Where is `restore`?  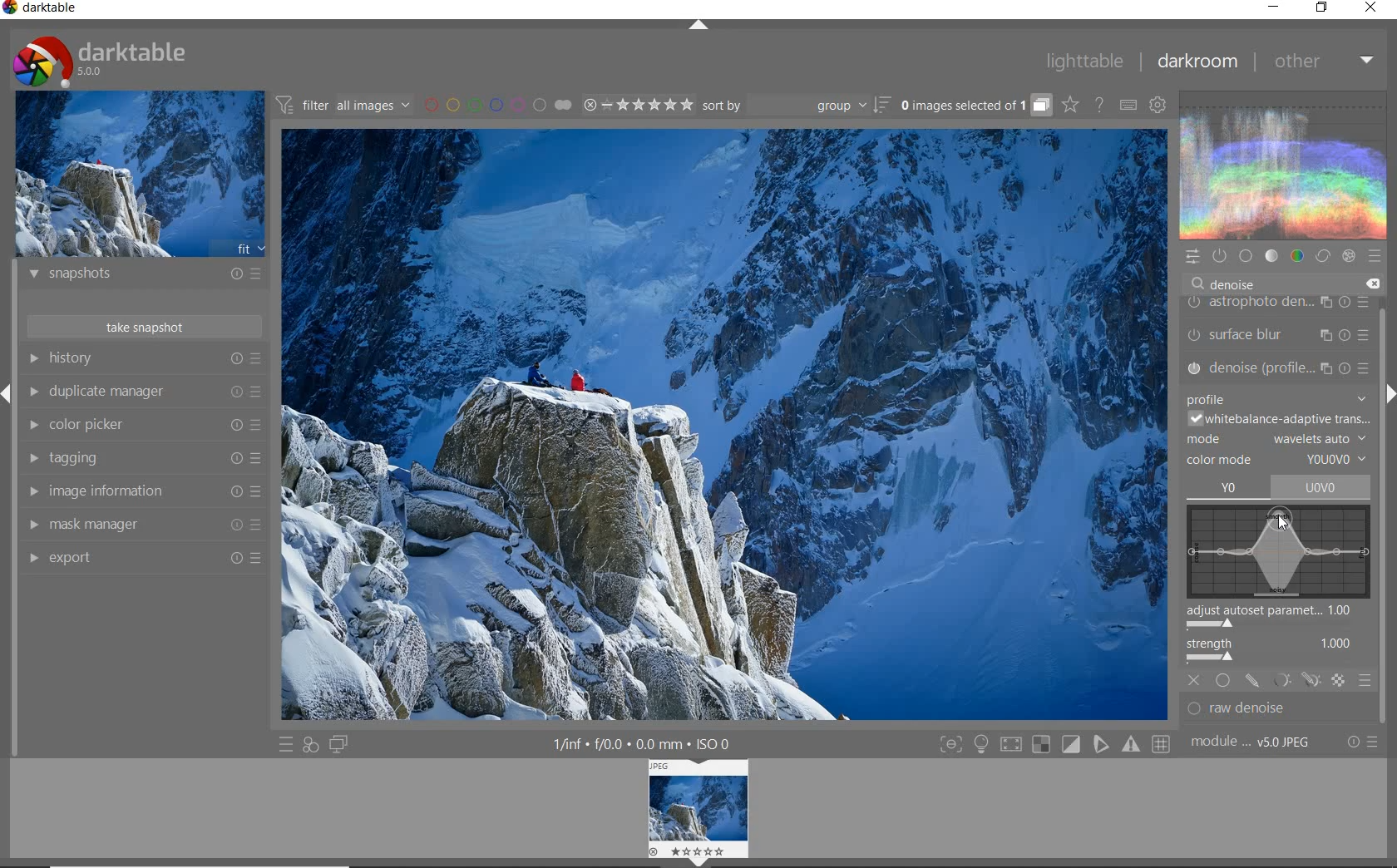 restore is located at coordinates (1324, 9).